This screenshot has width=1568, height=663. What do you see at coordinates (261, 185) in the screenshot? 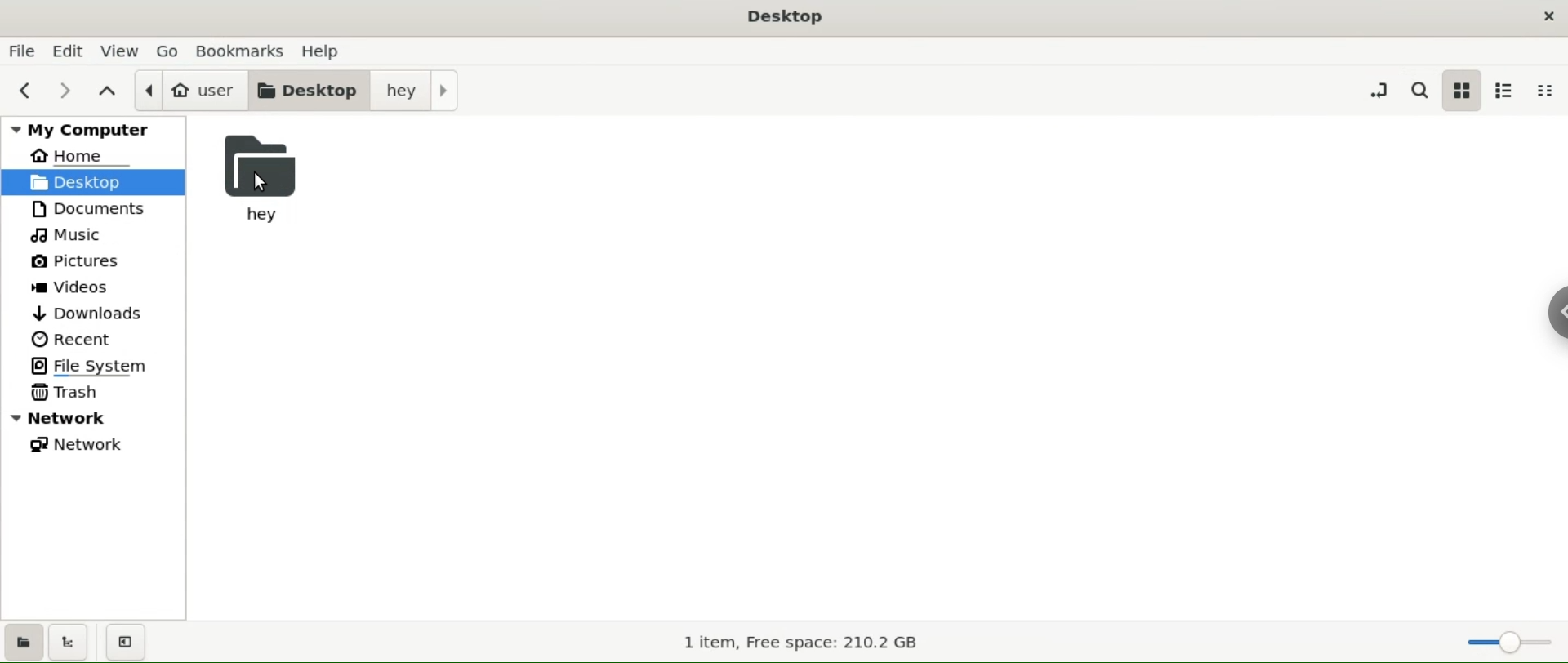
I see `cursor` at bounding box center [261, 185].